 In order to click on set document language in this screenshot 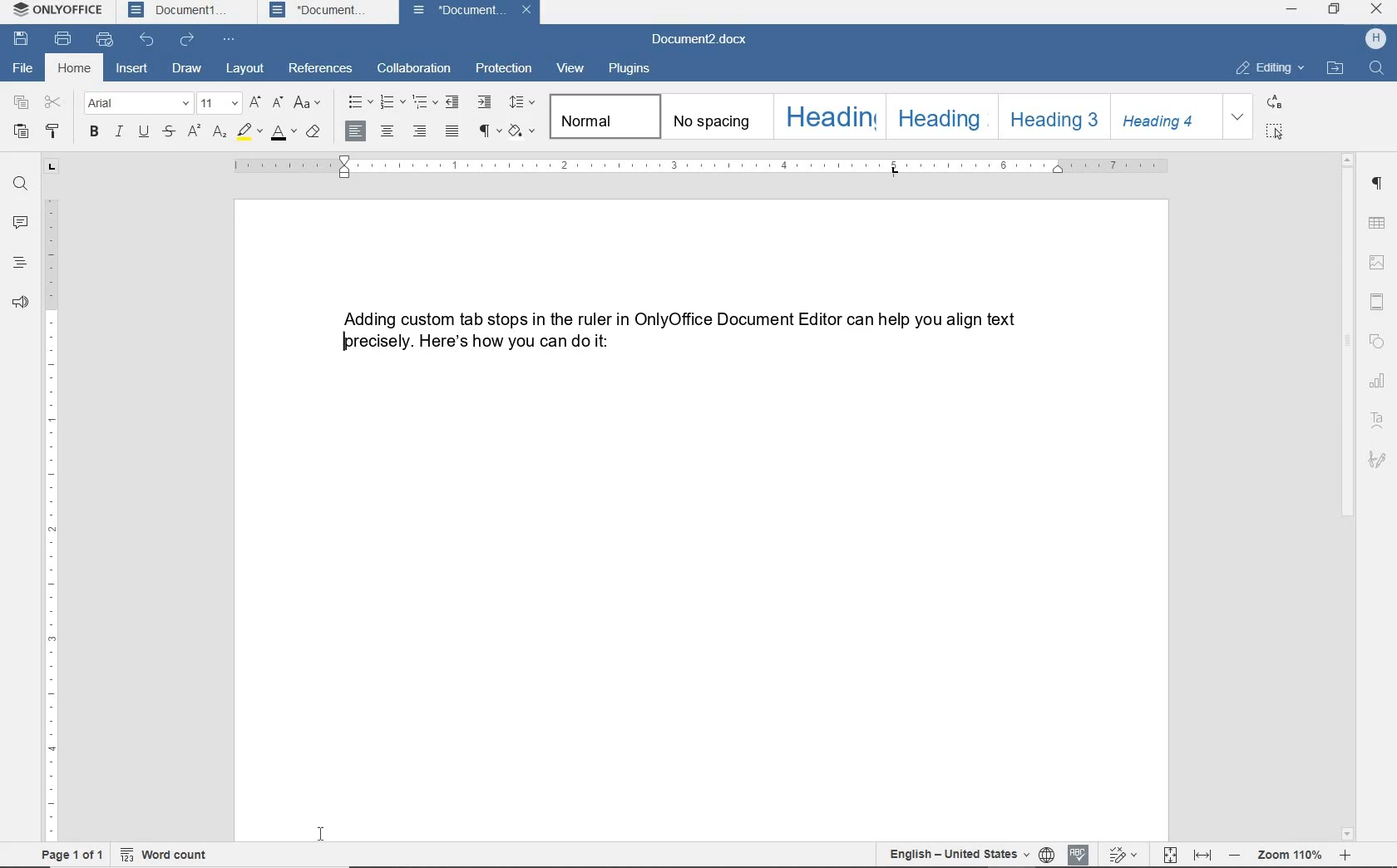, I will do `click(1044, 851)`.